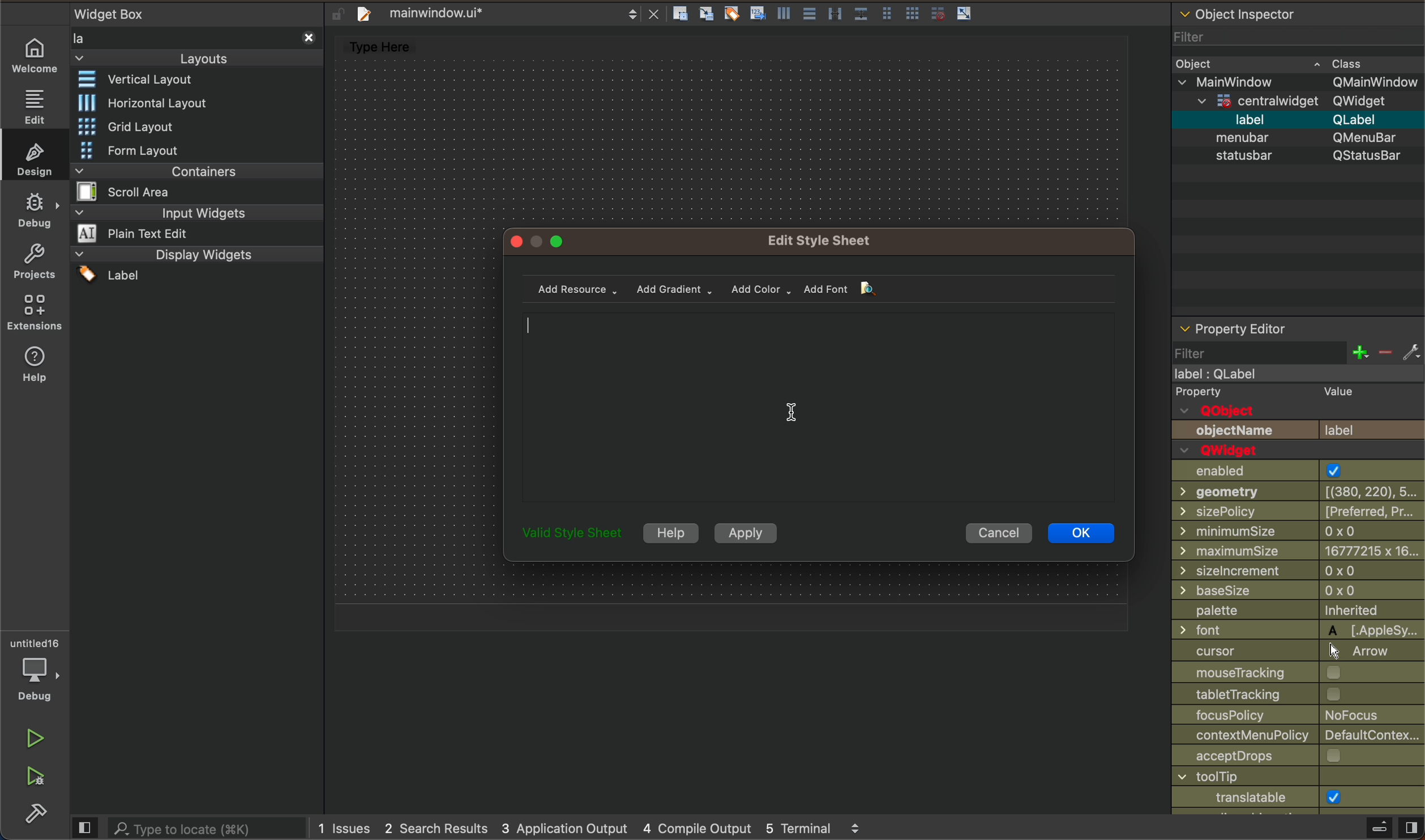  Describe the element at coordinates (825, 239) in the screenshot. I see `edit style` at that location.